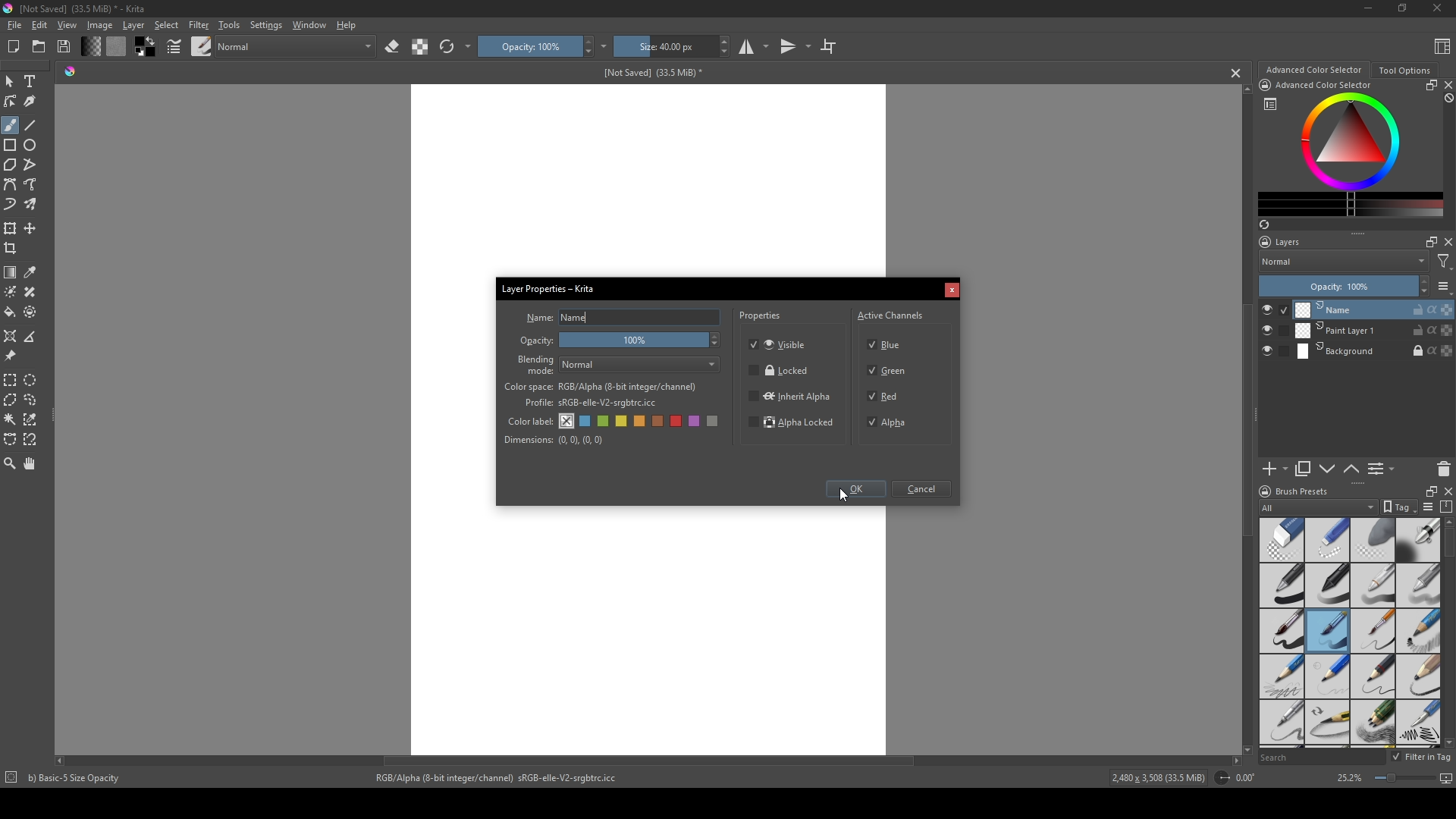 This screenshot has height=819, width=1456. What do you see at coordinates (1304, 469) in the screenshot?
I see `copy` at bounding box center [1304, 469].